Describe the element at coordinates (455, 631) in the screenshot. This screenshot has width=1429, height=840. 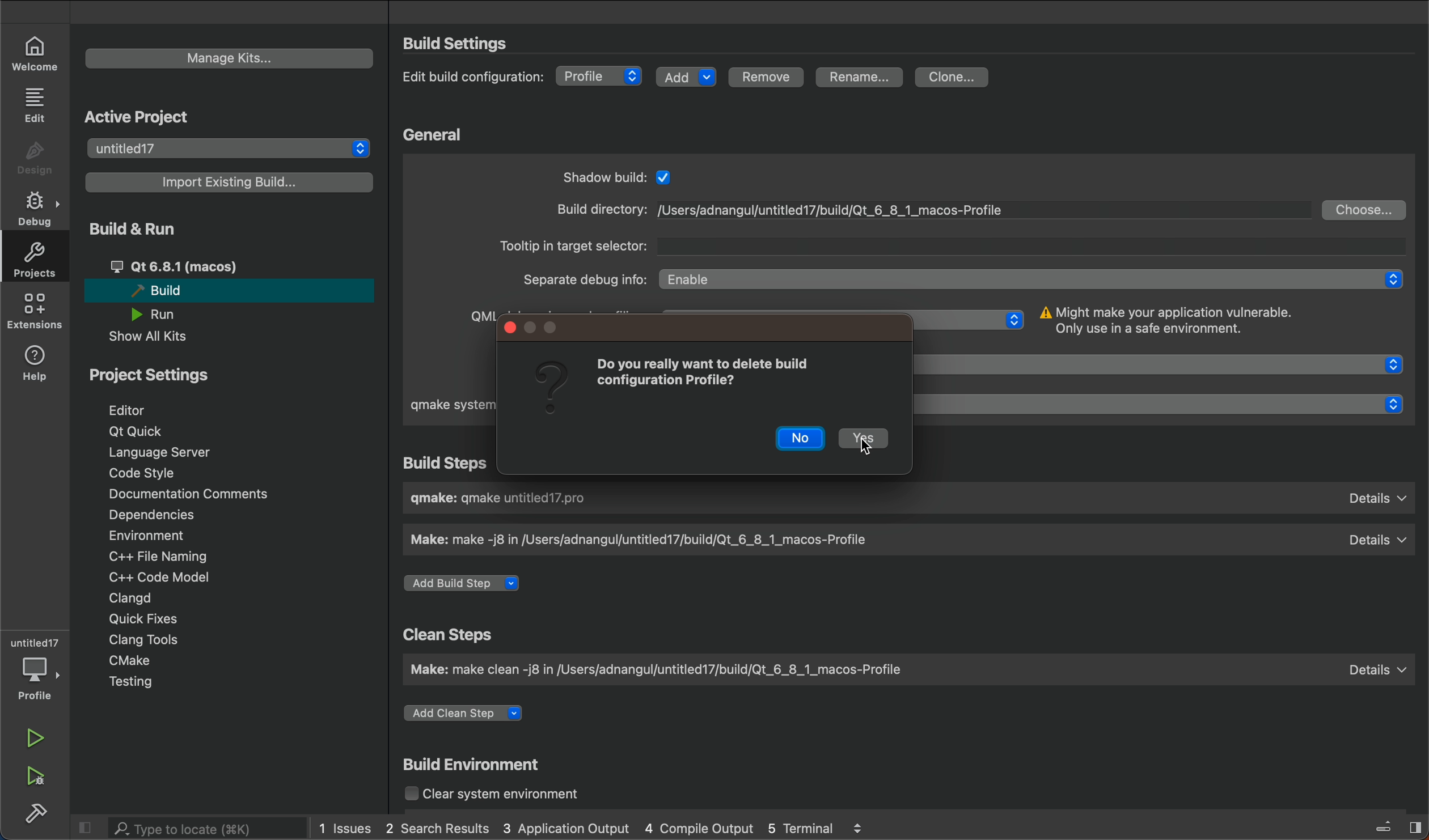
I see `` at that location.